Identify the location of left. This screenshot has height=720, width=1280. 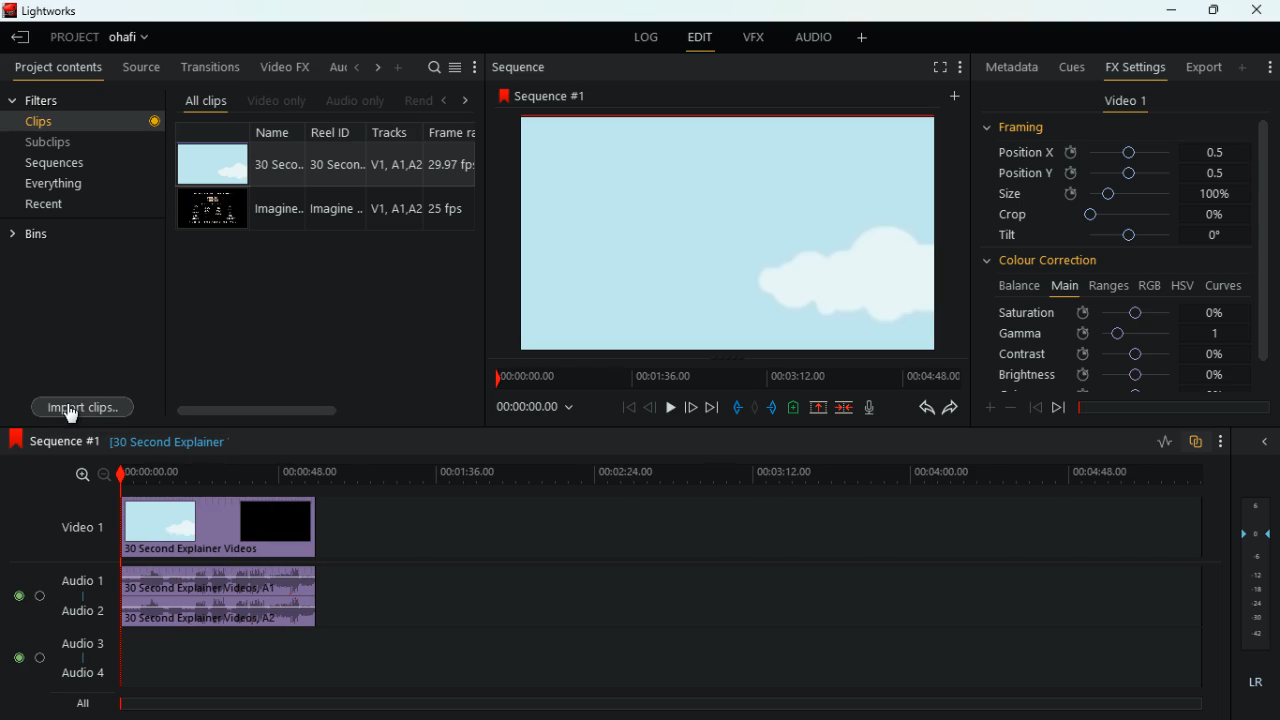
(354, 67).